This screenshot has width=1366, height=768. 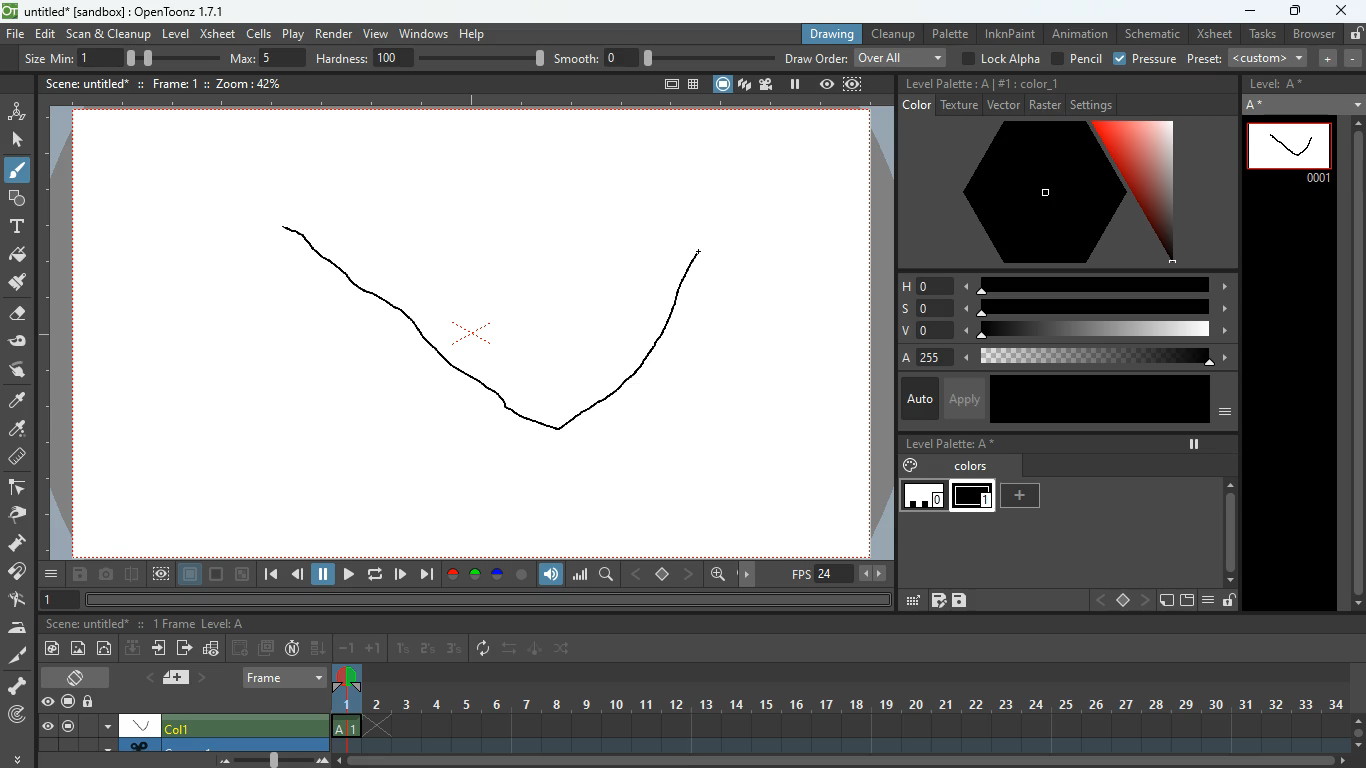 I want to click on save, so click(x=960, y=601).